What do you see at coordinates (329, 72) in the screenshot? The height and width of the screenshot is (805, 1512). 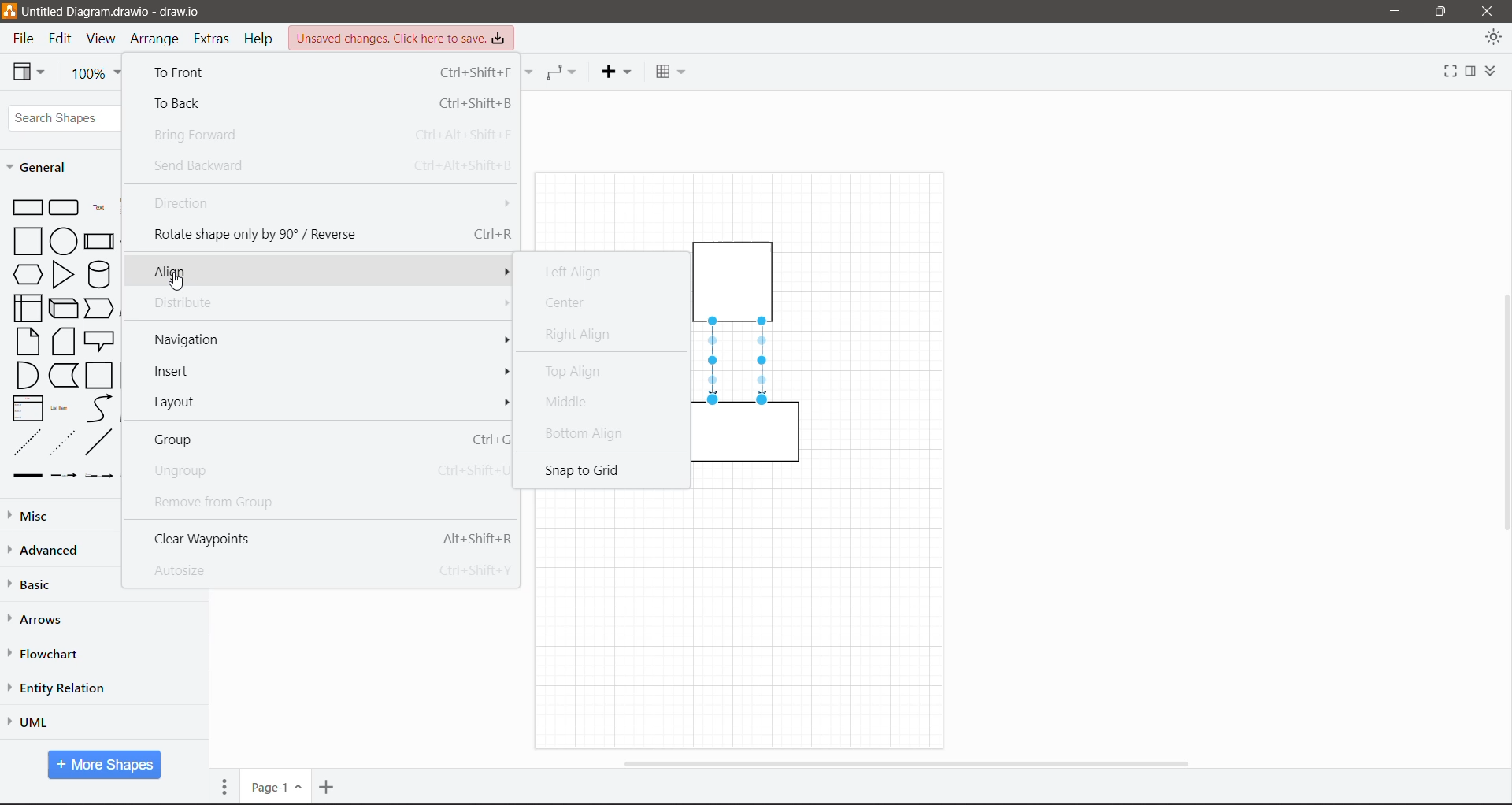 I see `To Front CTRL+SHIFT+F` at bounding box center [329, 72].